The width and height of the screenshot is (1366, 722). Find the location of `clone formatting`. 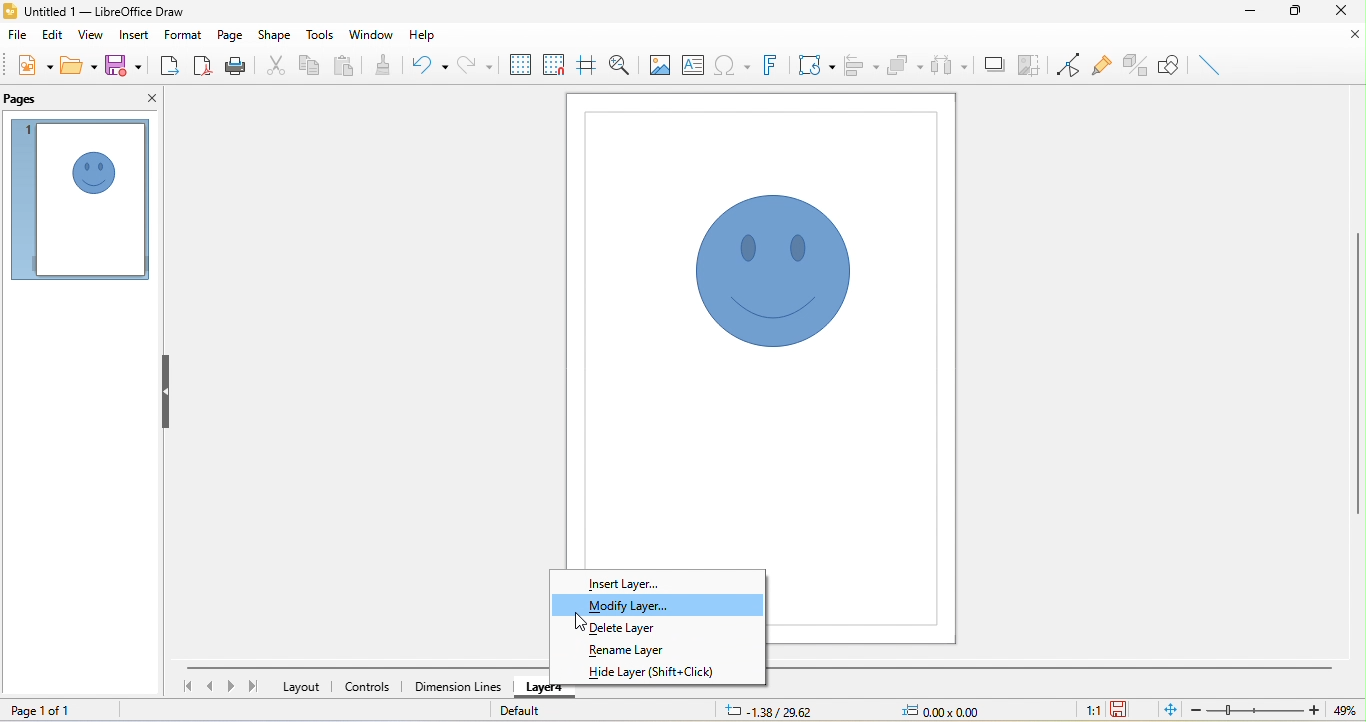

clone formatting is located at coordinates (389, 64).